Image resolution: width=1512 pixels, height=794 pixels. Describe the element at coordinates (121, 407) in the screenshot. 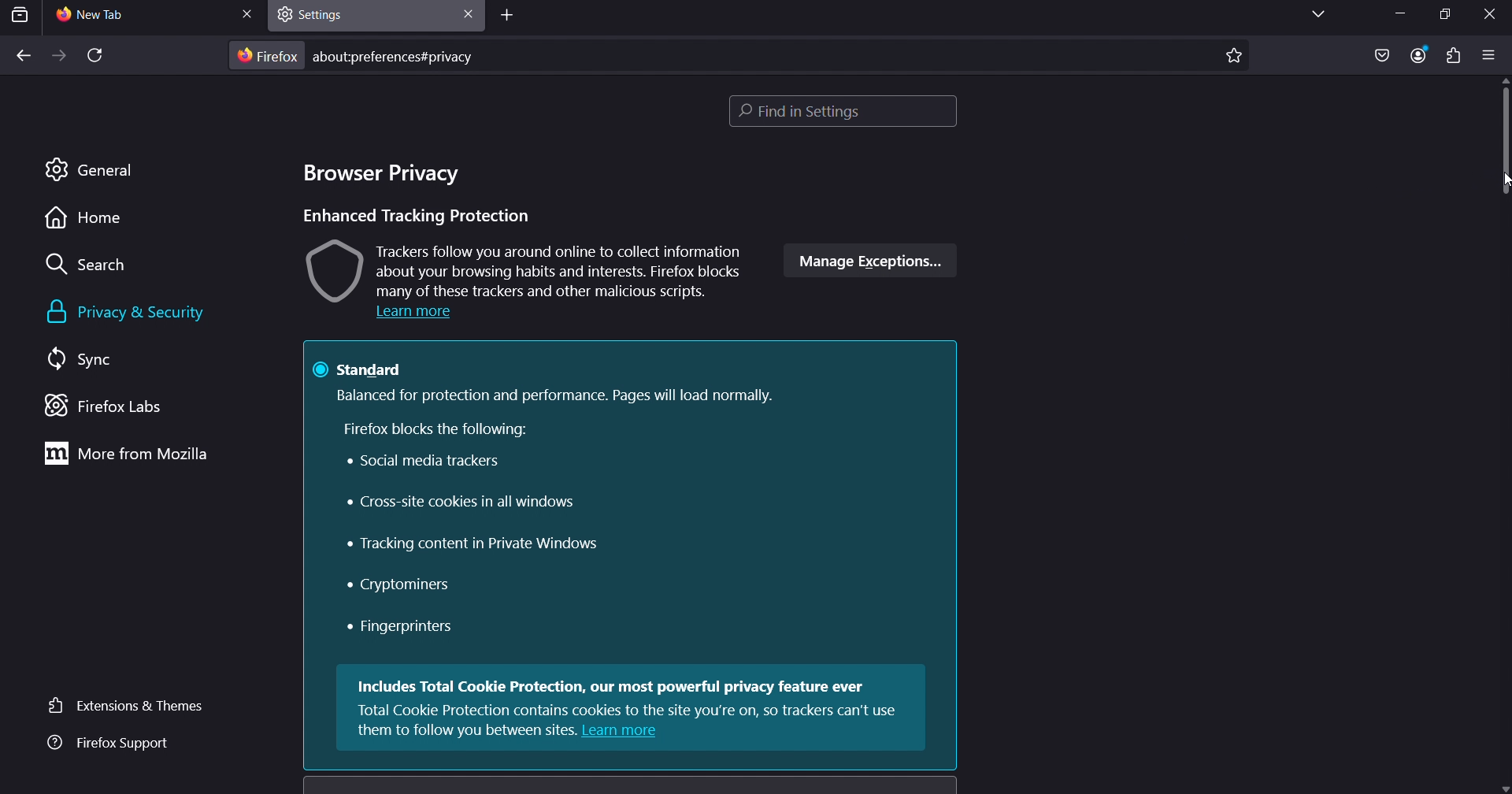

I see `firefox labs` at that location.